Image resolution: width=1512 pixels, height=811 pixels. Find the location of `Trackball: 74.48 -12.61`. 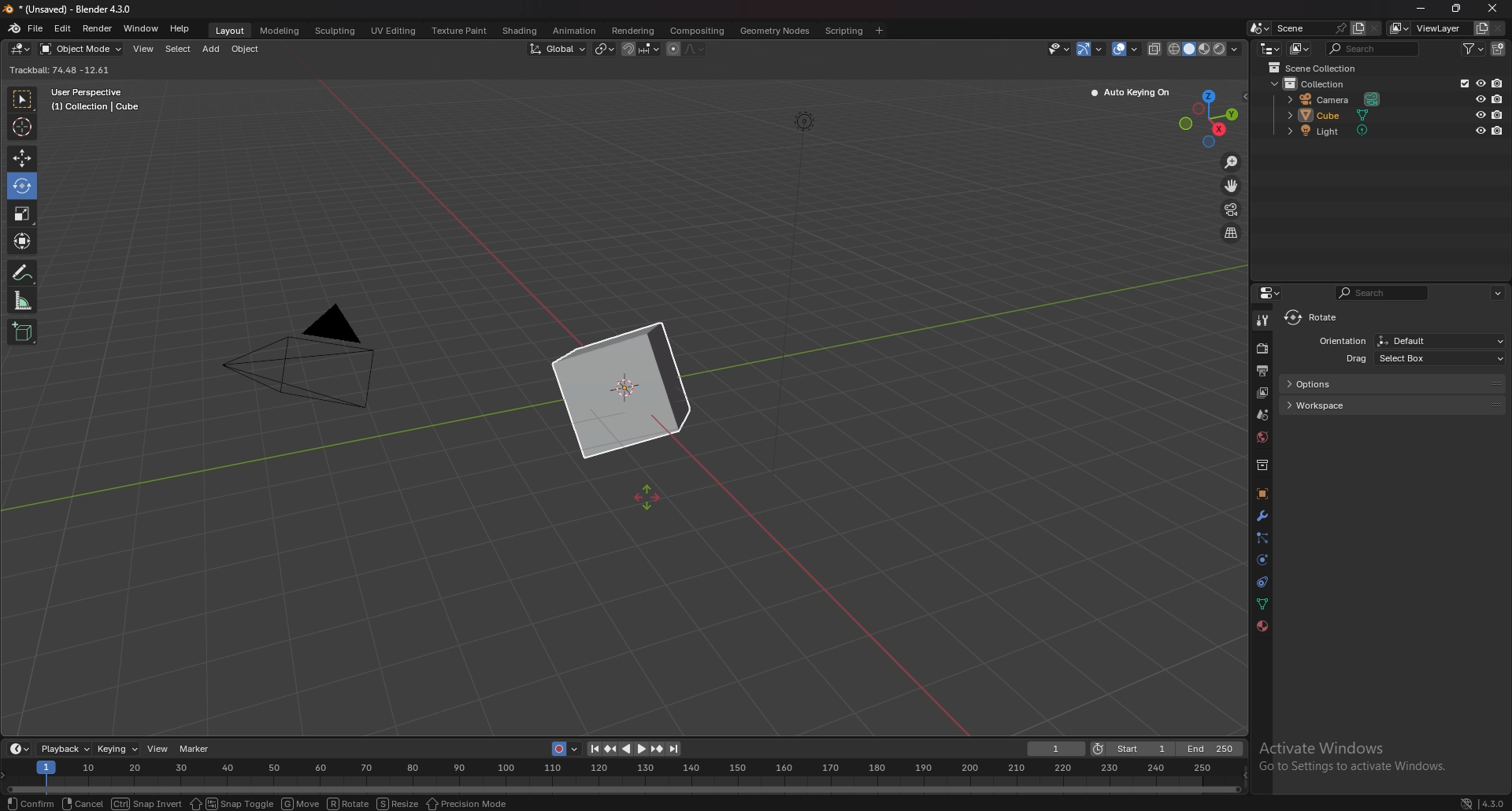

Trackball: 74.48 -12.61 is located at coordinates (64, 70).